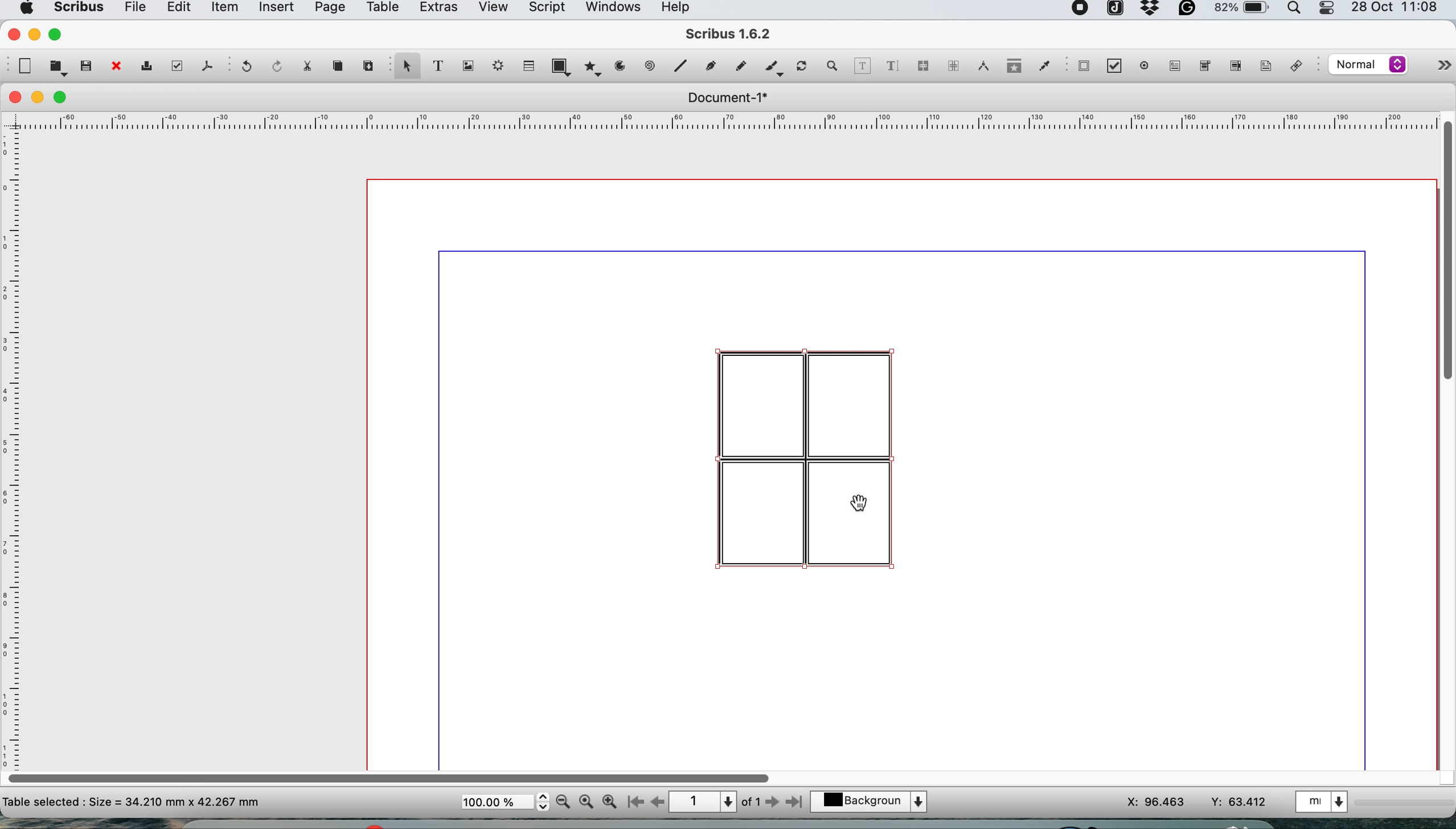 Image resolution: width=1456 pixels, height=829 pixels. I want to click on file, so click(133, 10).